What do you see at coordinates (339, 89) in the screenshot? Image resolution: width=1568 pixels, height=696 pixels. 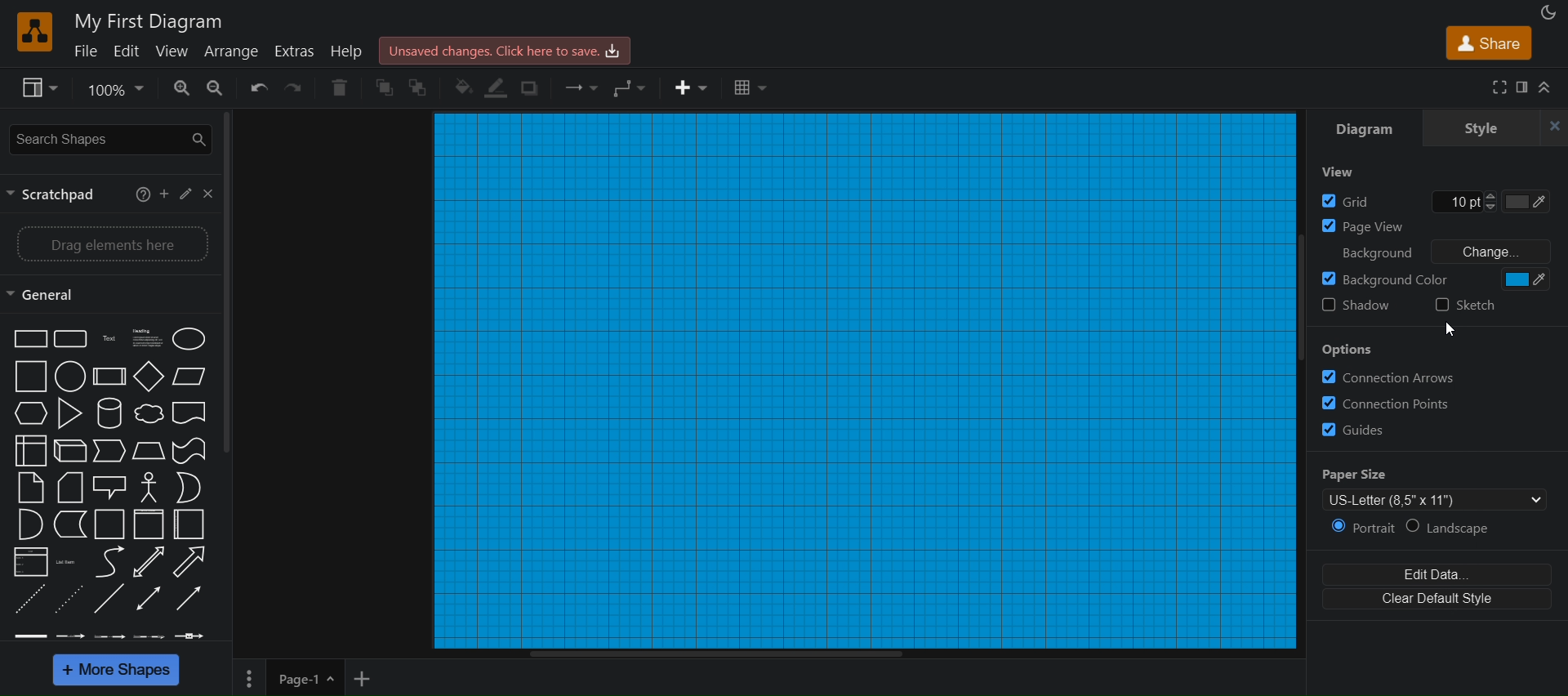 I see `delete` at bounding box center [339, 89].